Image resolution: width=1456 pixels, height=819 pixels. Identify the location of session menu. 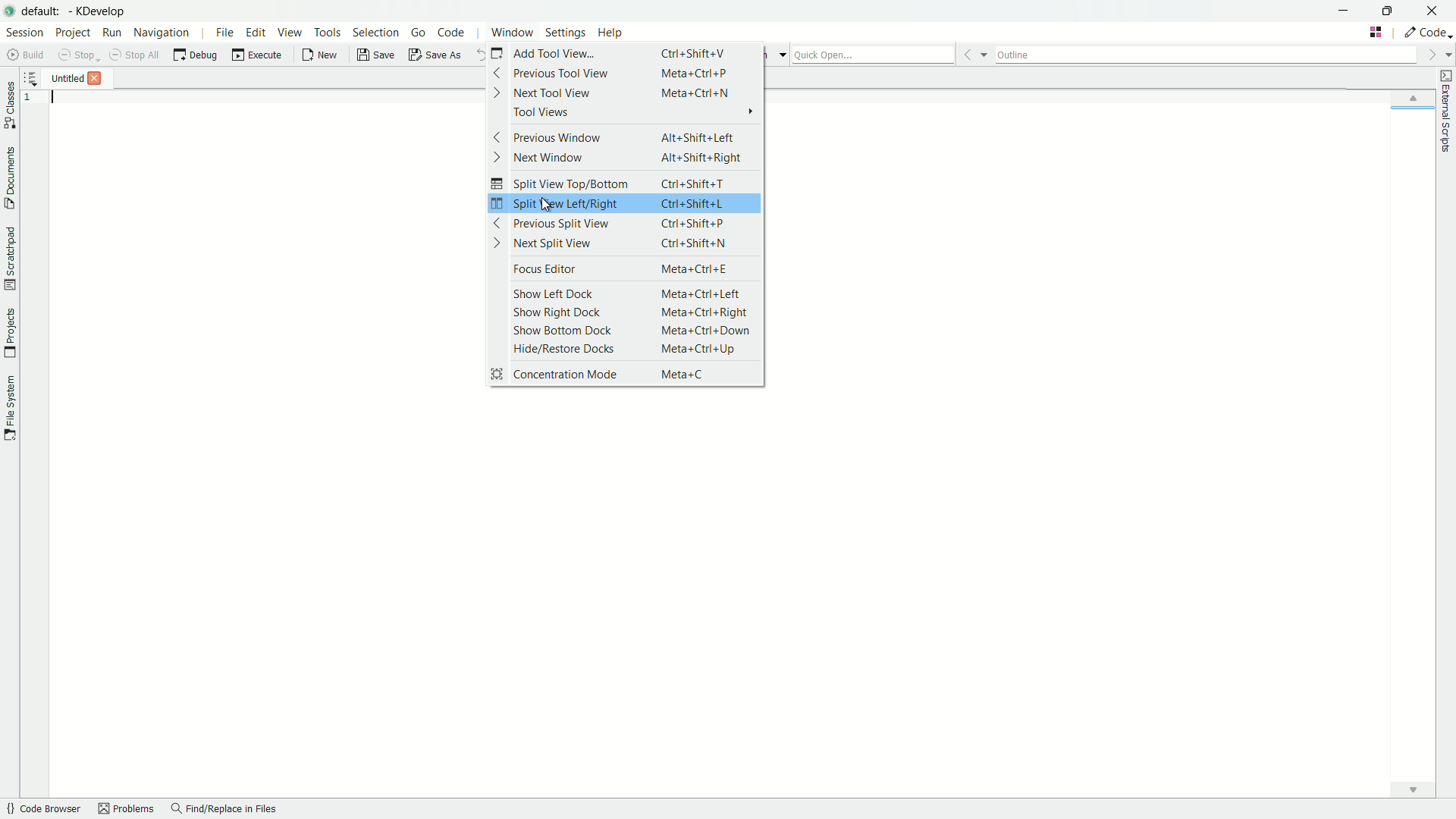
(24, 33).